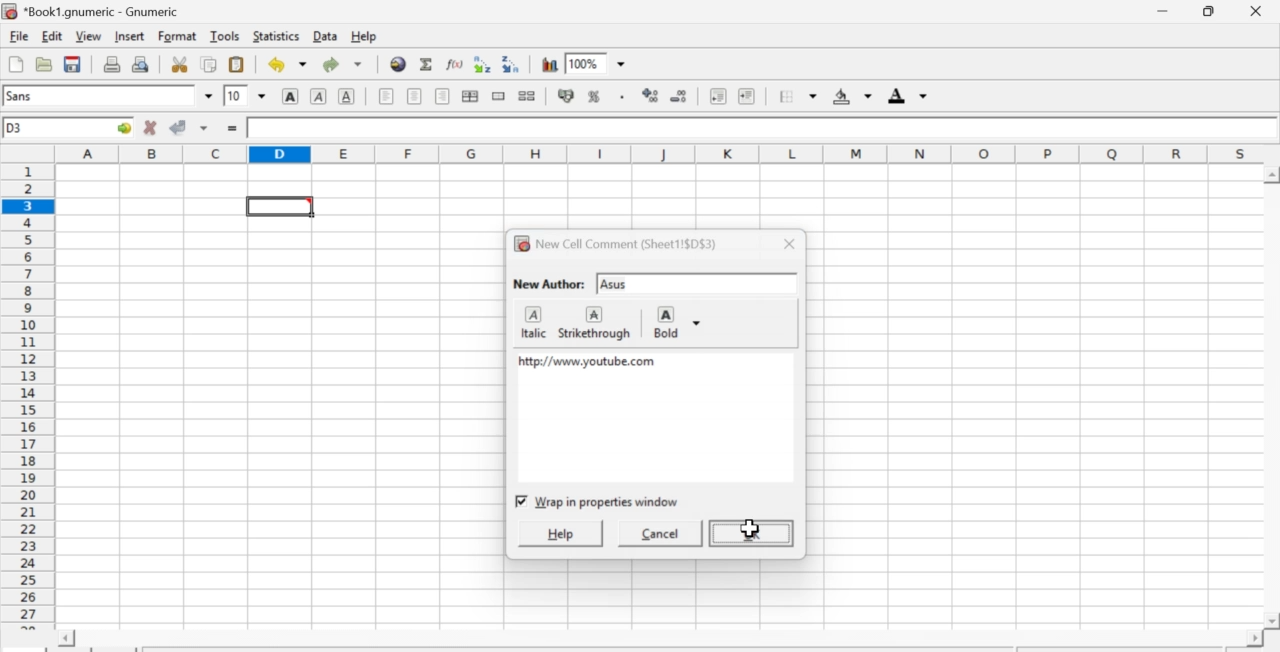 The image size is (1280, 652). Describe the element at coordinates (717, 96) in the screenshot. I see `Decrease indent` at that location.